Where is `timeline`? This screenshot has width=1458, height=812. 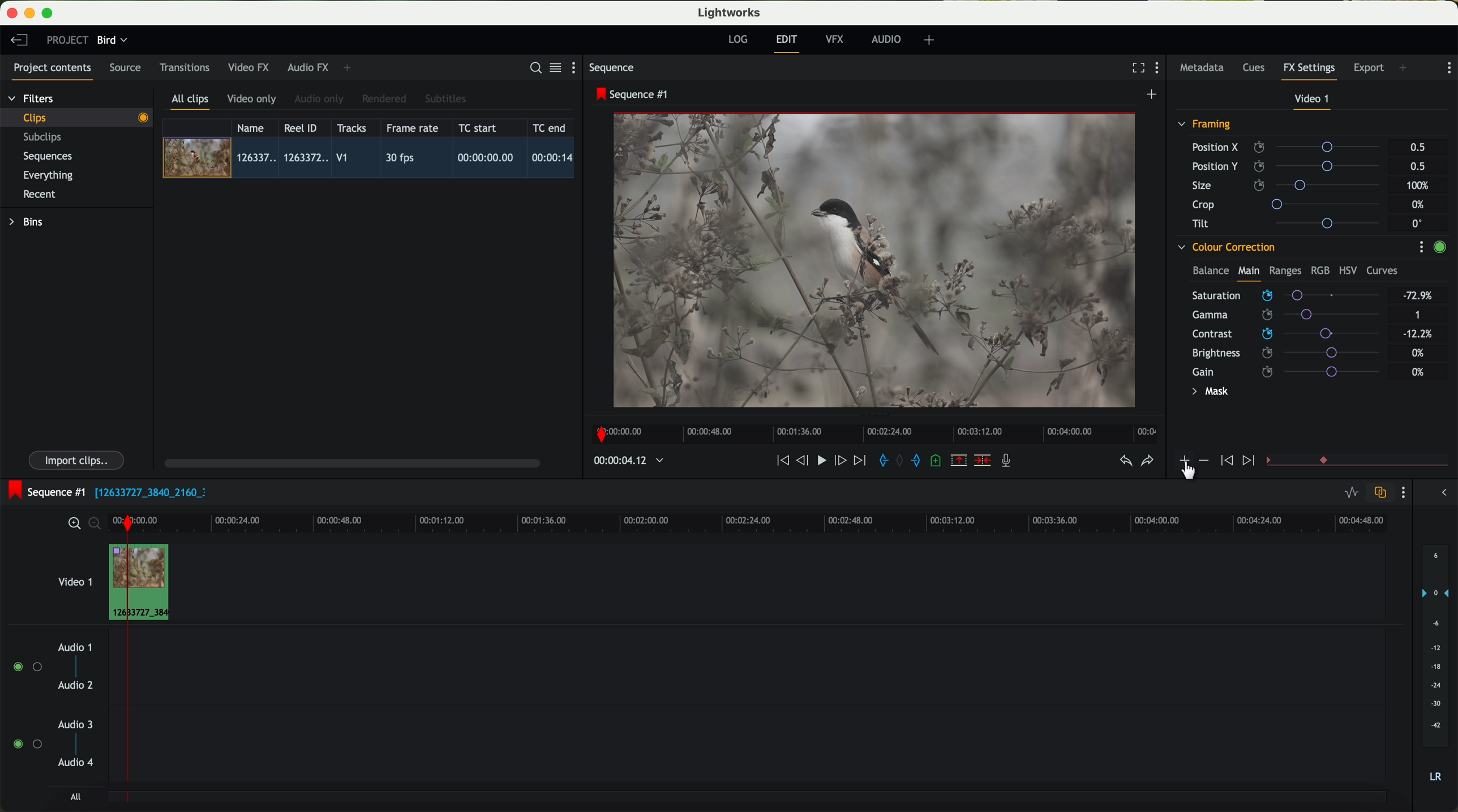 timeline is located at coordinates (871, 431).